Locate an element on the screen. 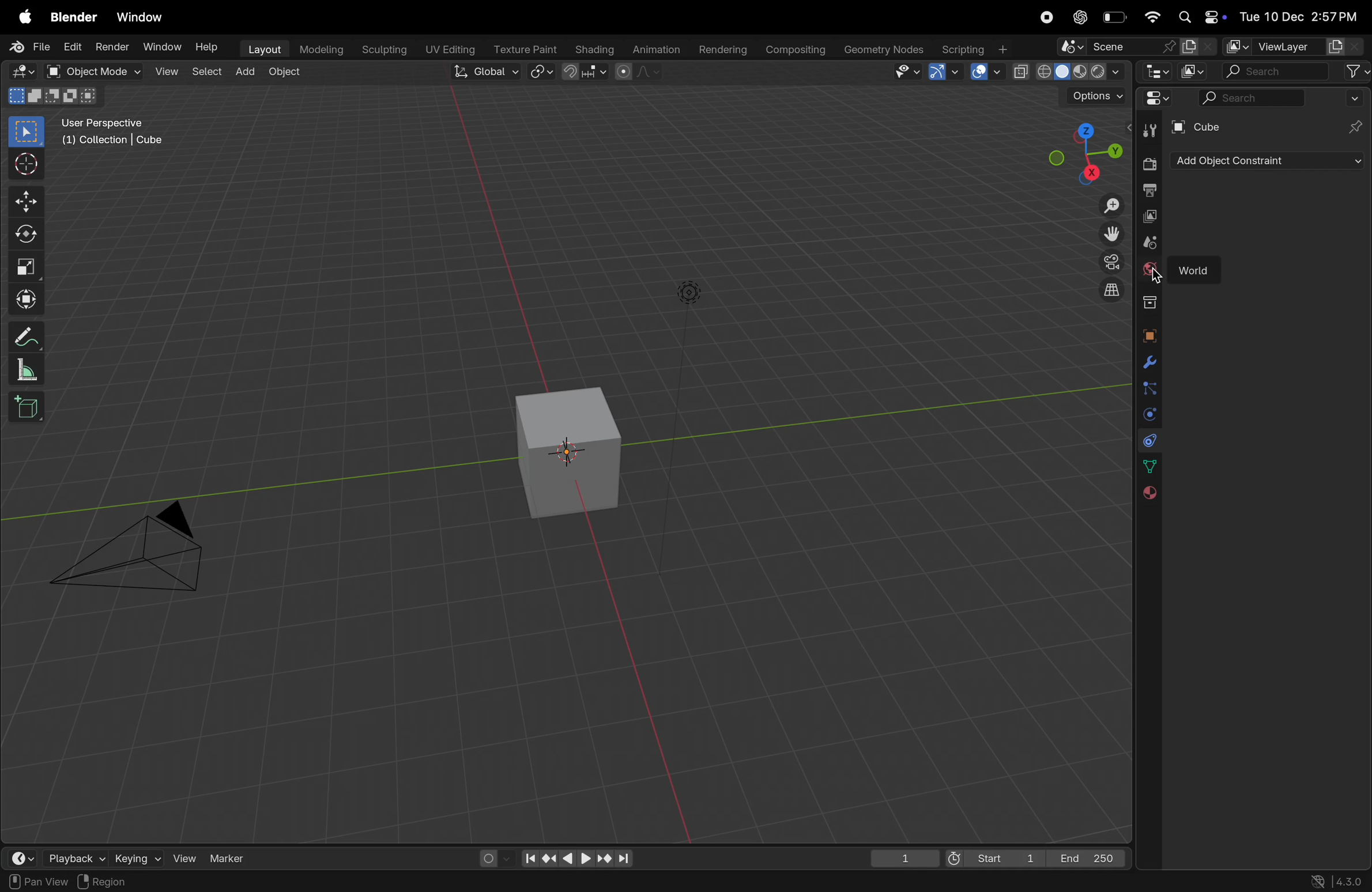 The image size is (1372, 892). Object is located at coordinates (287, 71).